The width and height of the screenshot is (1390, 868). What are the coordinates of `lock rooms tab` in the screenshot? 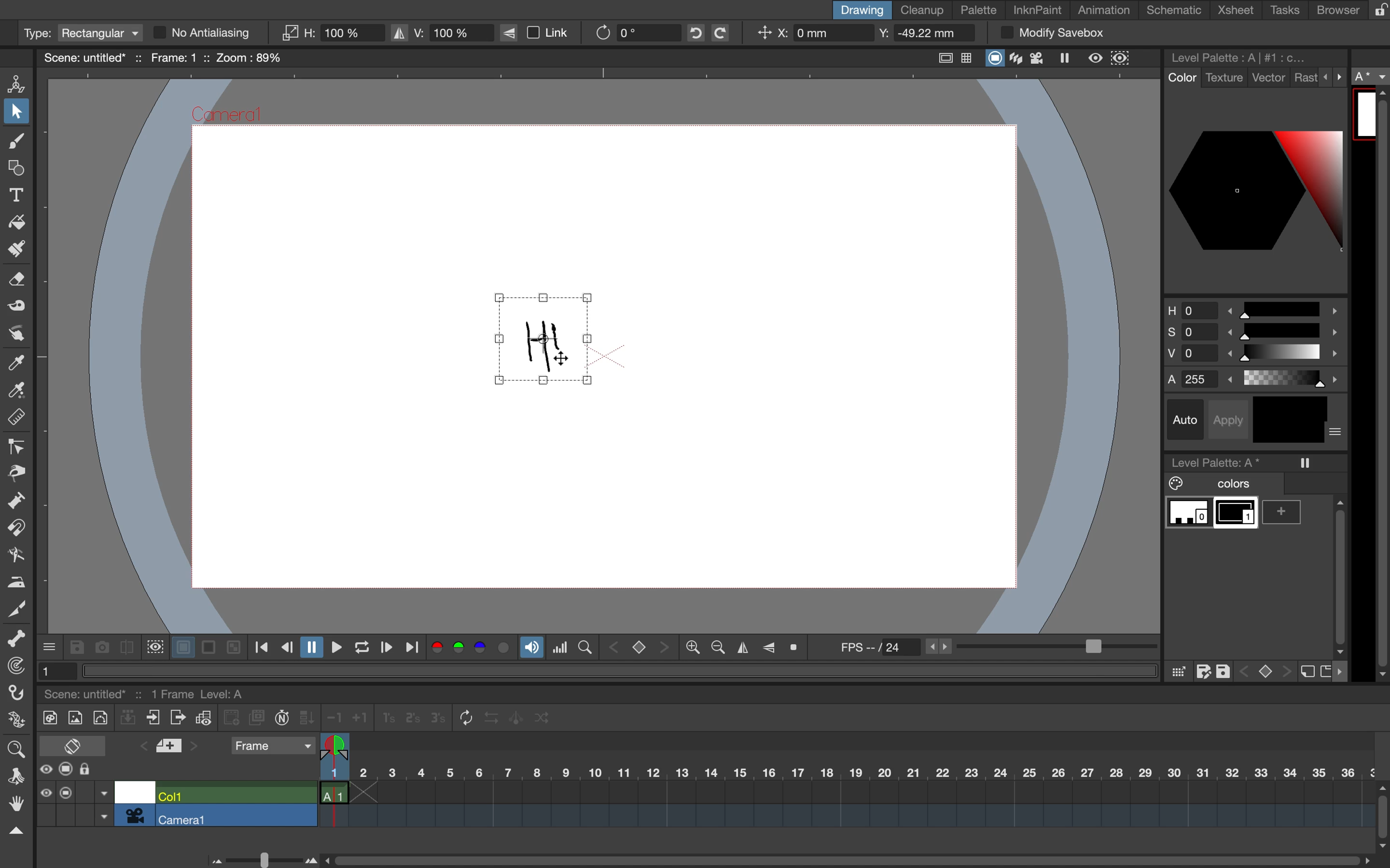 It's located at (1375, 11).